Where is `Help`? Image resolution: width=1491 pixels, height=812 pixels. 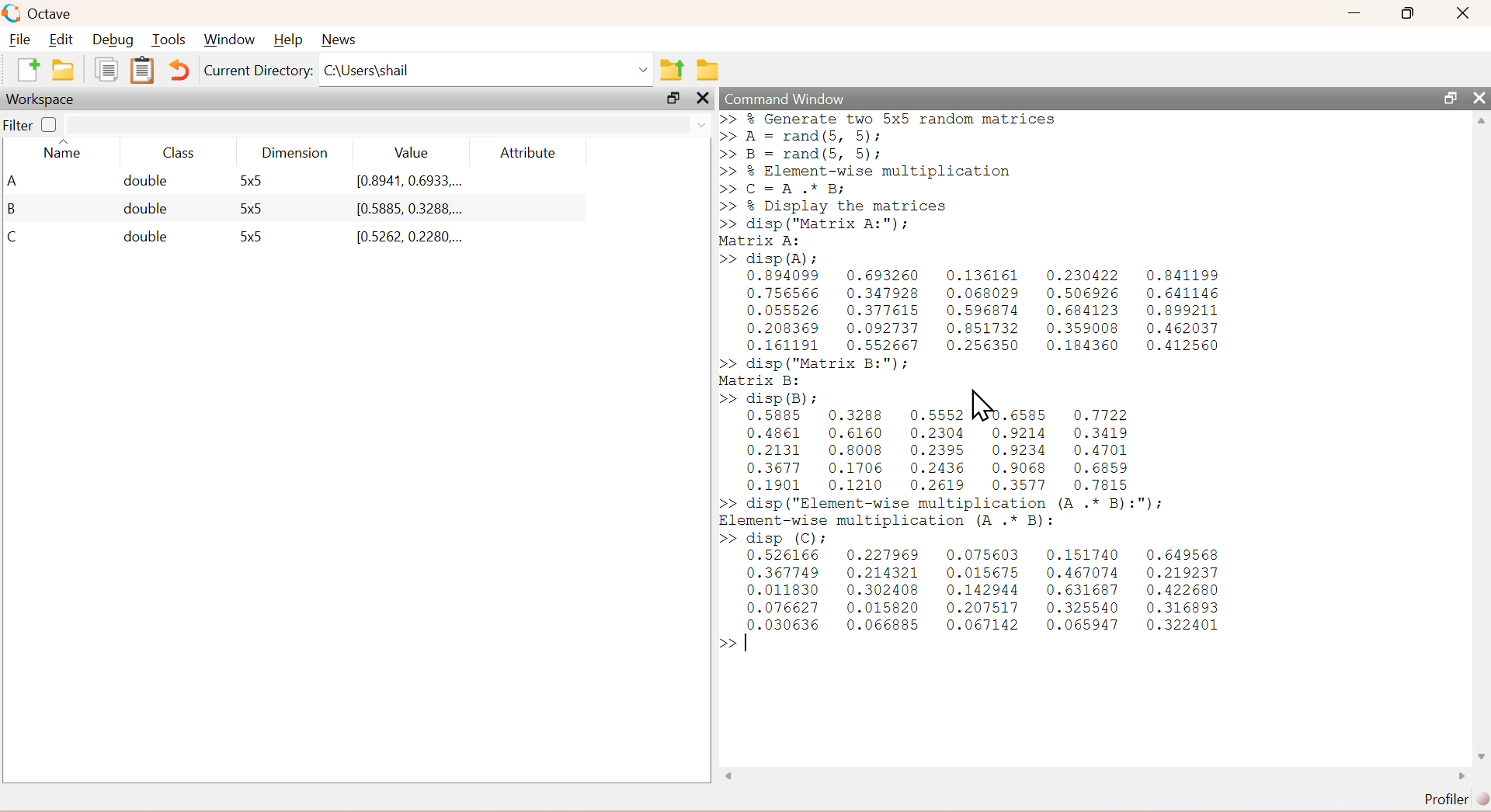 Help is located at coordinates (290, 36).